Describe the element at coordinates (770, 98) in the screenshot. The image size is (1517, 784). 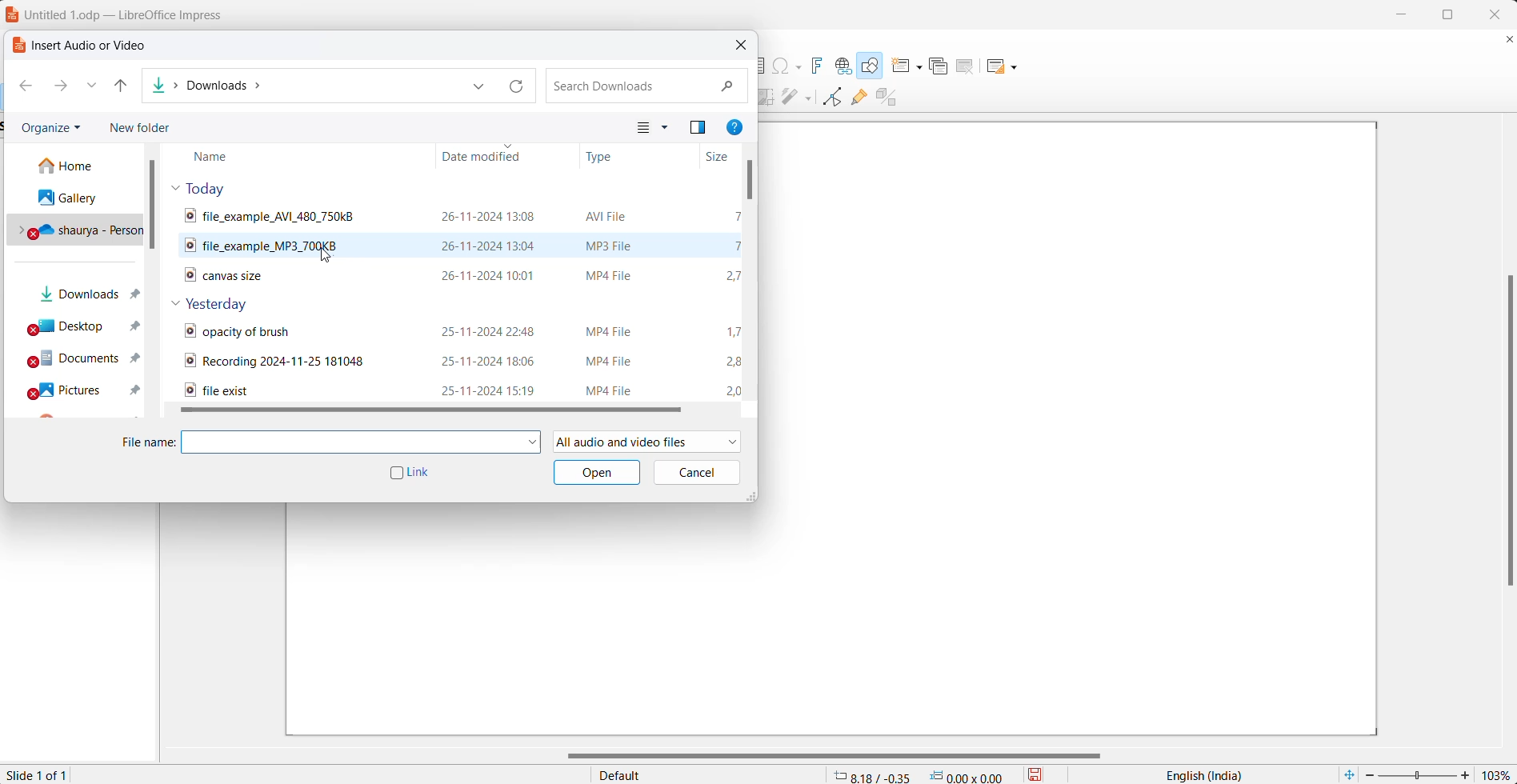
I see `crop image` at that location.